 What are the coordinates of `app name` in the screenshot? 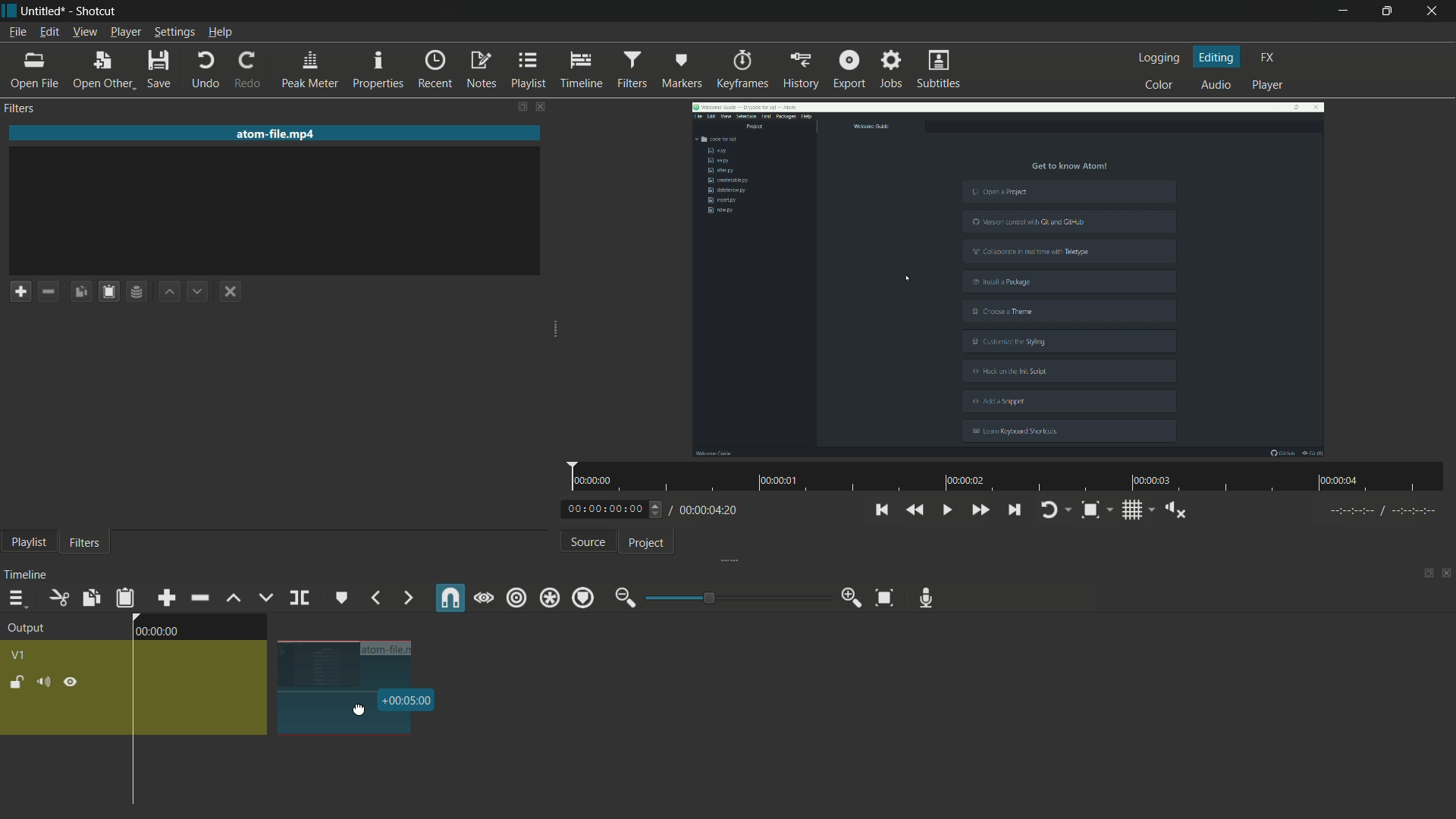 It's located at (96, 11).